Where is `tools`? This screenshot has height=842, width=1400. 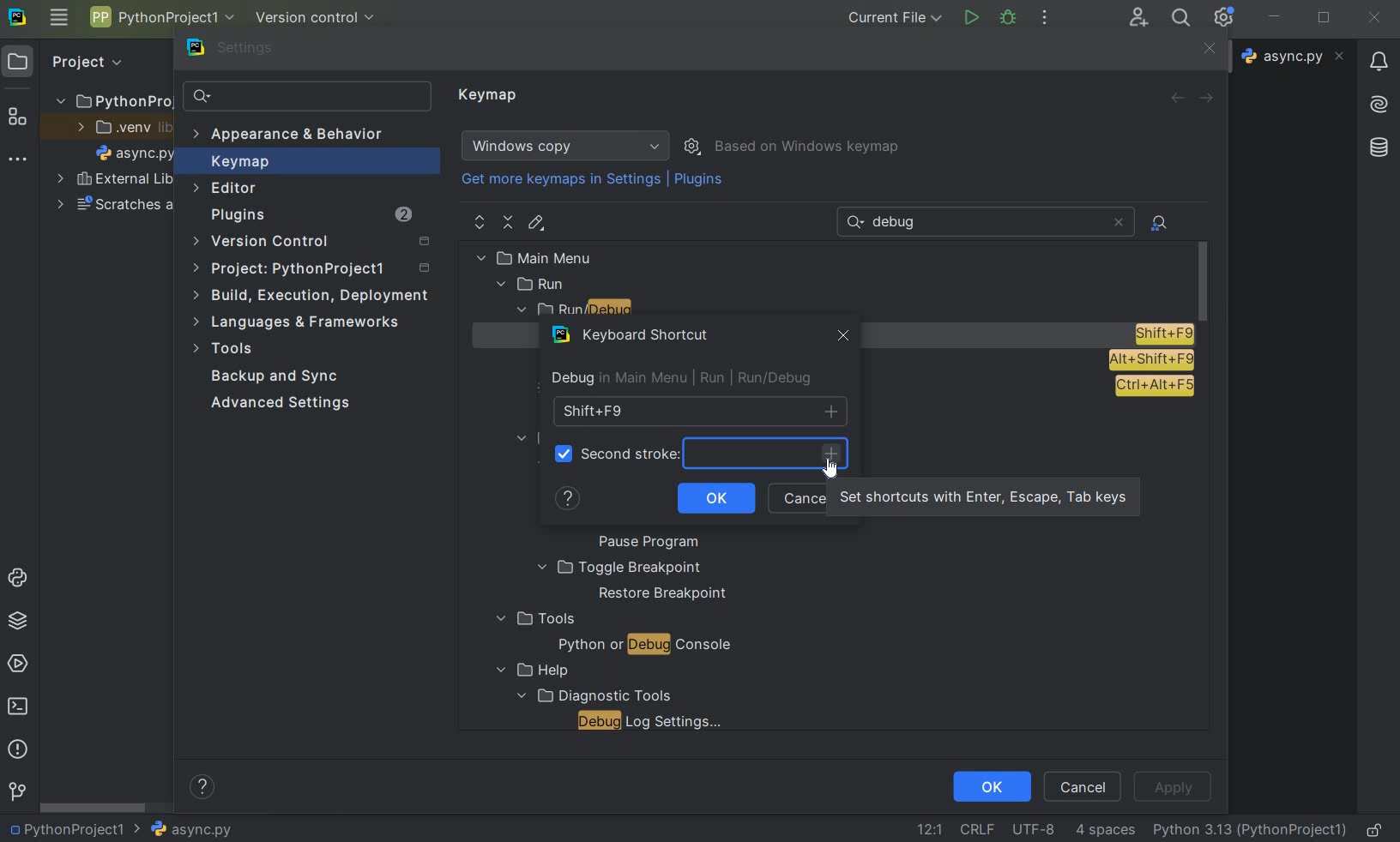 tools is located at coordinates (534, 619).